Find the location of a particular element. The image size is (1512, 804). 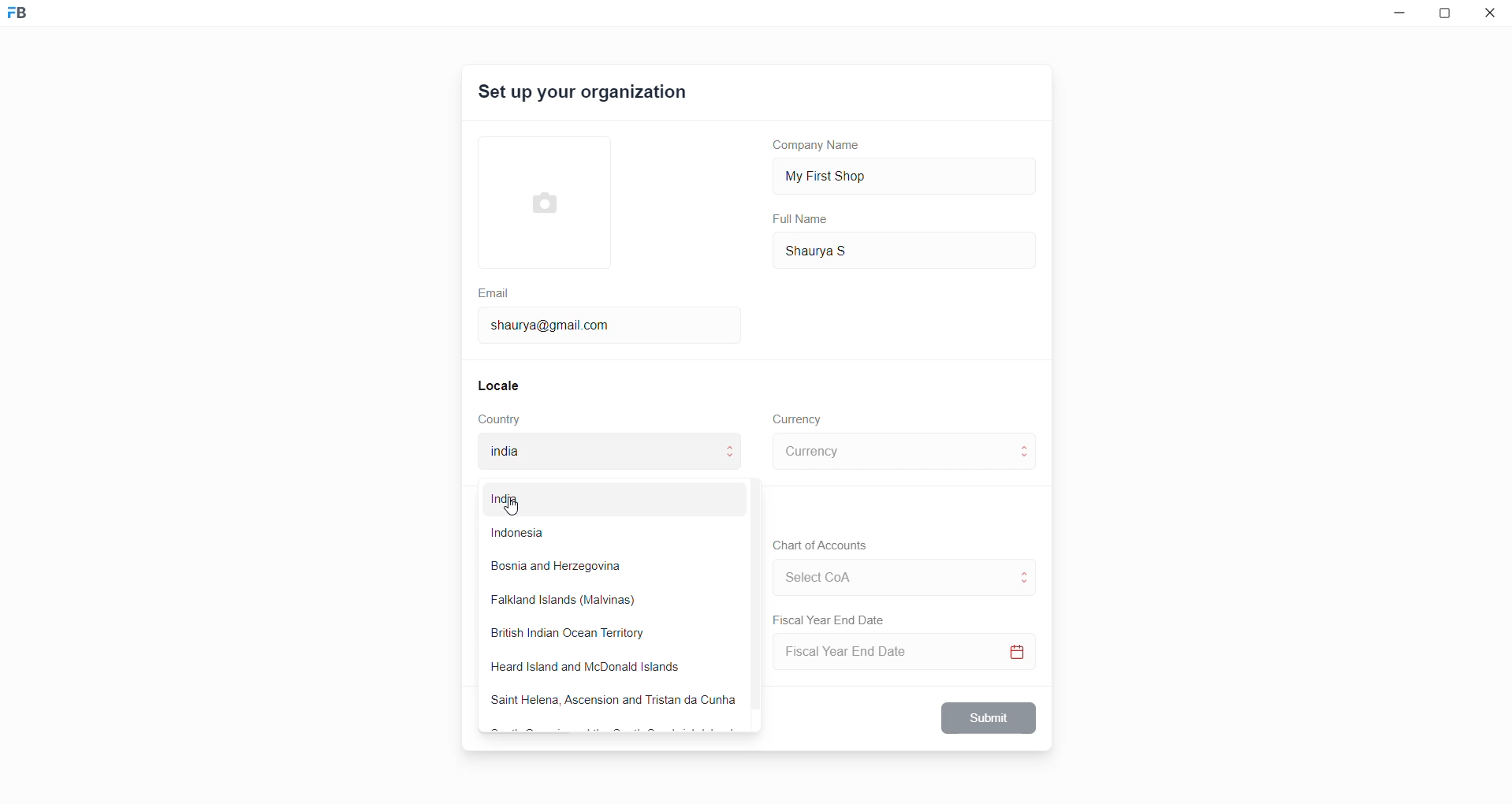

Falkland Islands (Malvinas) is located at coordinates (587, 599).